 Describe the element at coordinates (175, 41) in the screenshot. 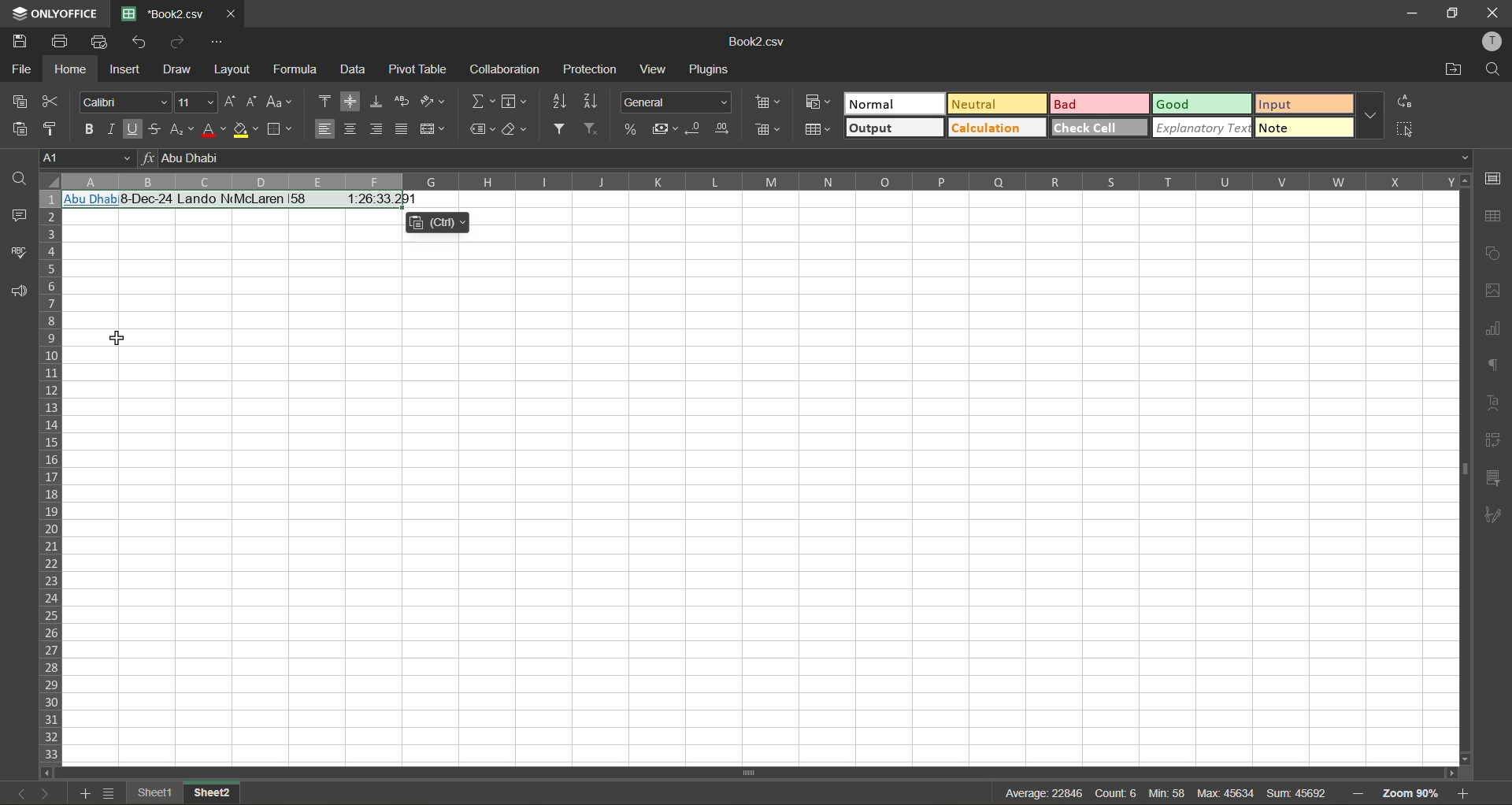

I see `redo` at that location.